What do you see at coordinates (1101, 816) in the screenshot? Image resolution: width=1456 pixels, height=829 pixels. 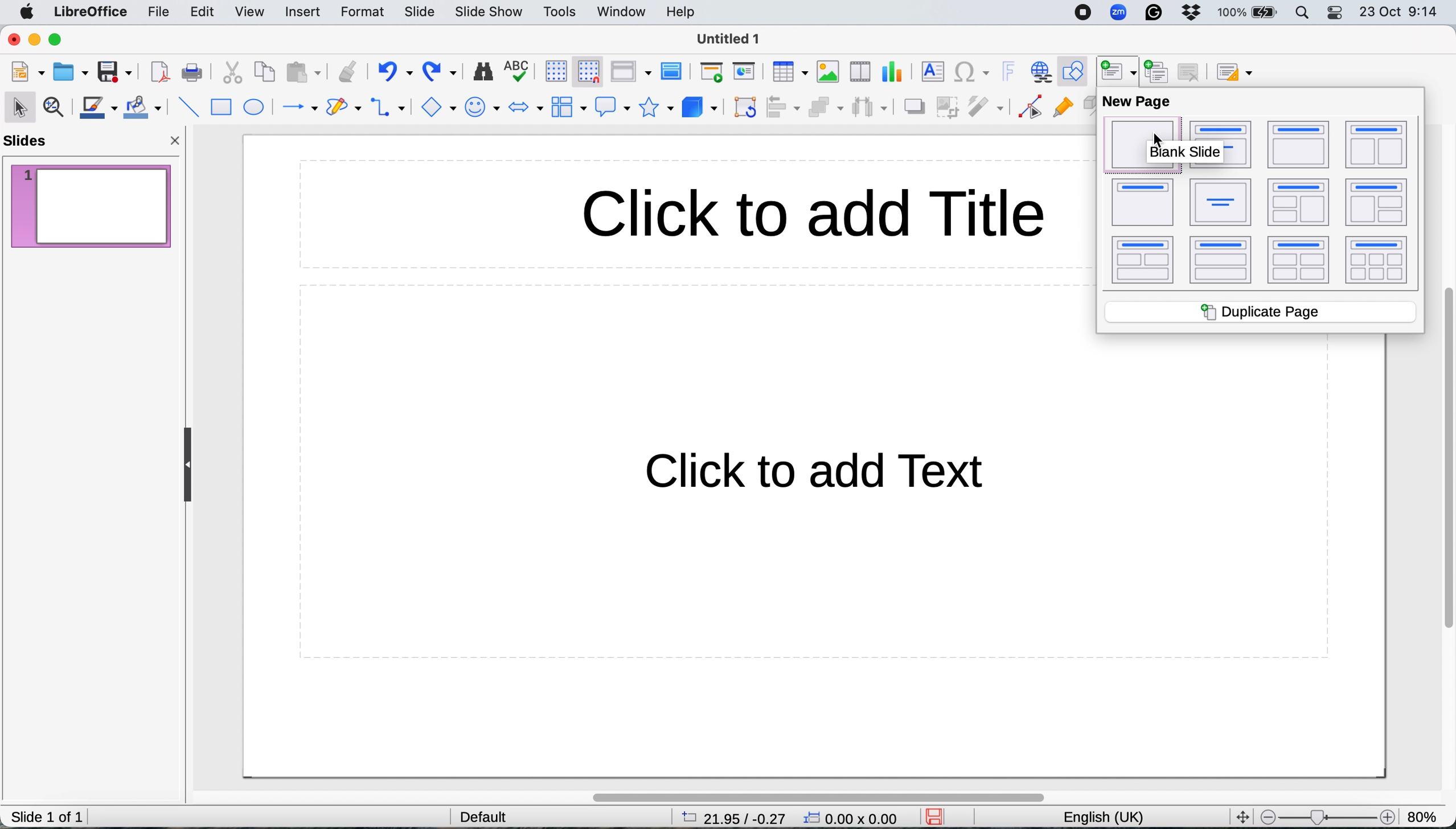 I see `english uk` at bounding box center [1101, 816].